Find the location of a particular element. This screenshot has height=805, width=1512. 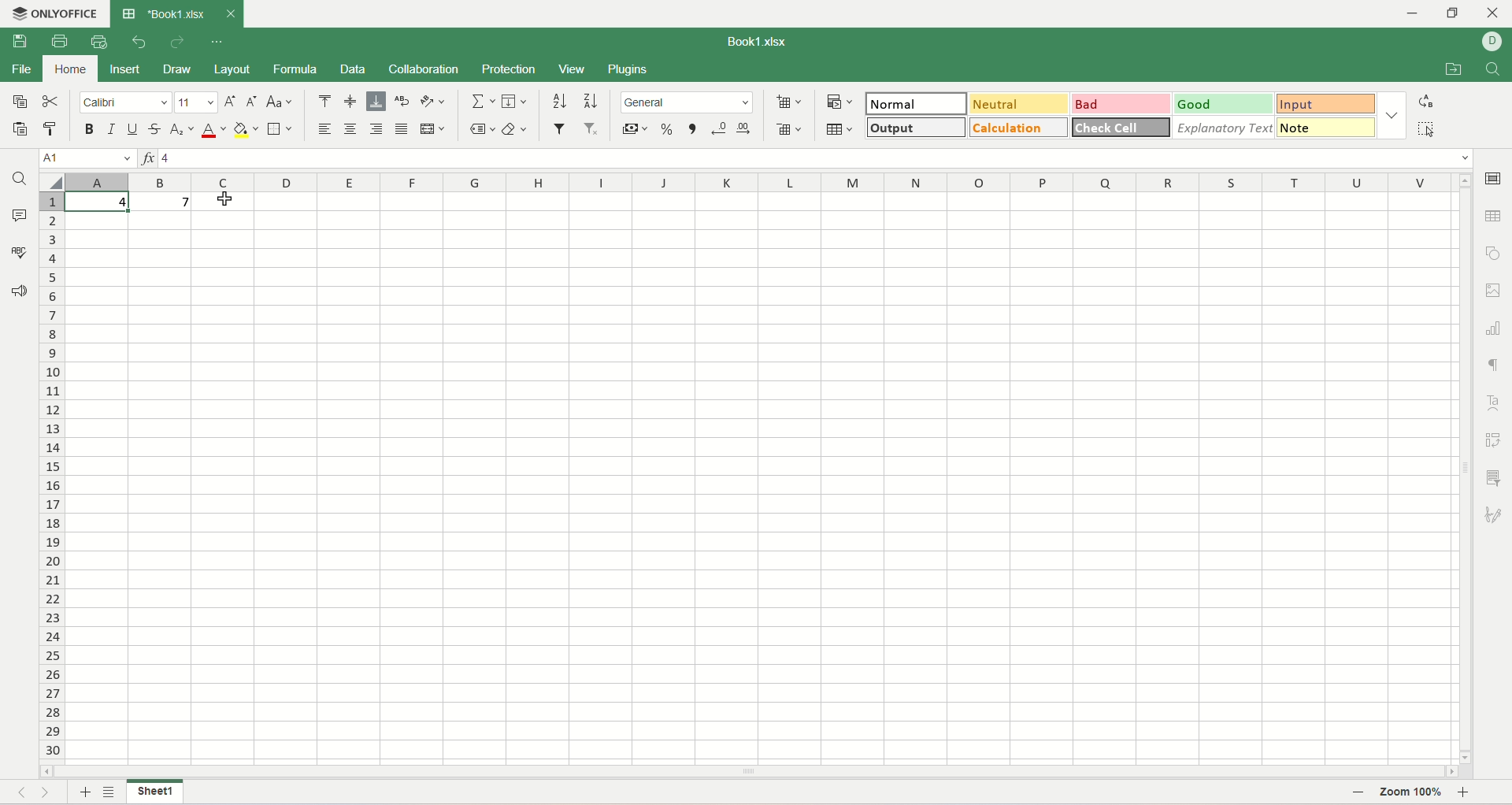

increase decimal is located at coordinates (747, 128).